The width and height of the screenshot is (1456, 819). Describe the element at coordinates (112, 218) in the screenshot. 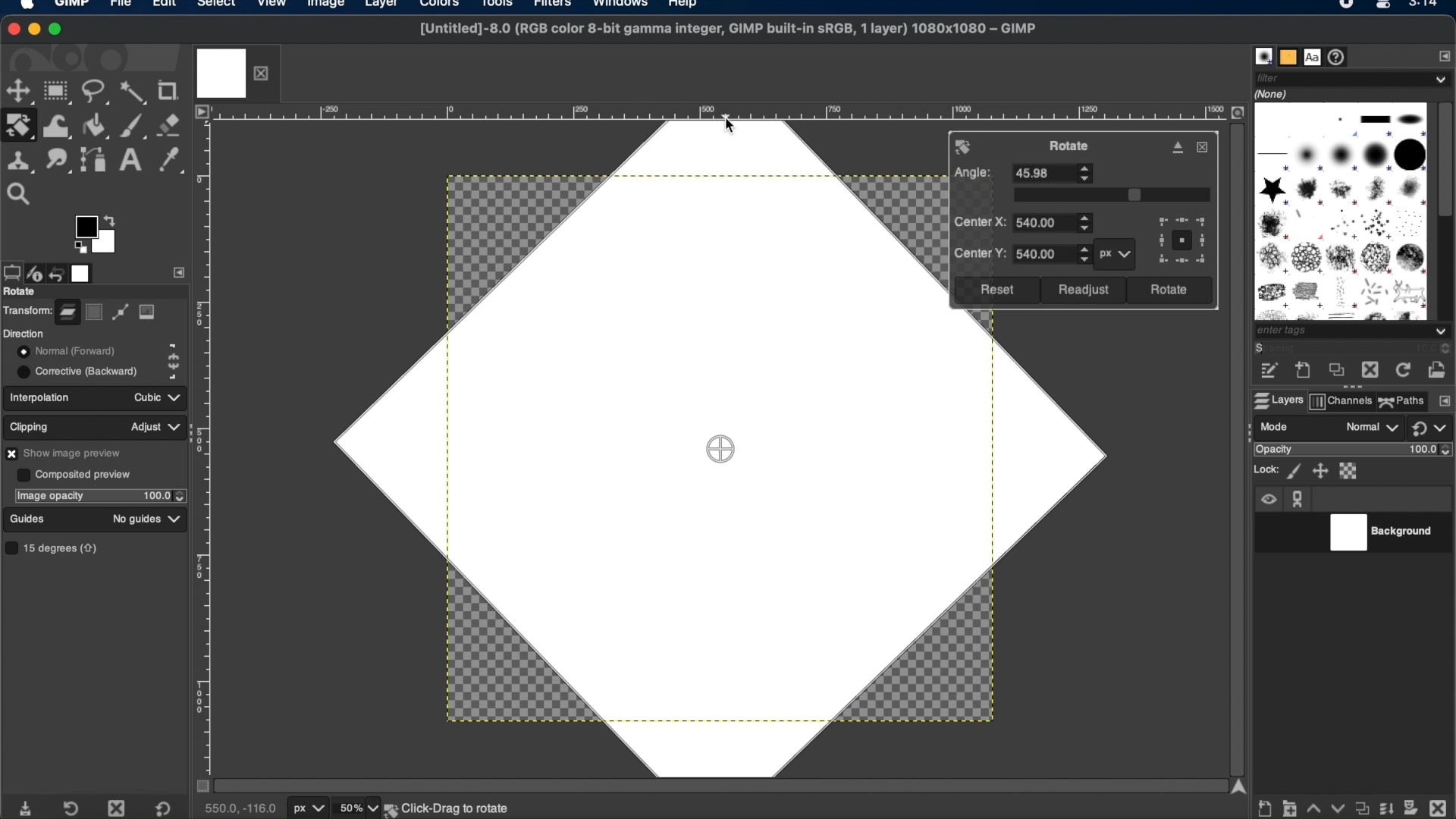

I see `arrow` at that location.